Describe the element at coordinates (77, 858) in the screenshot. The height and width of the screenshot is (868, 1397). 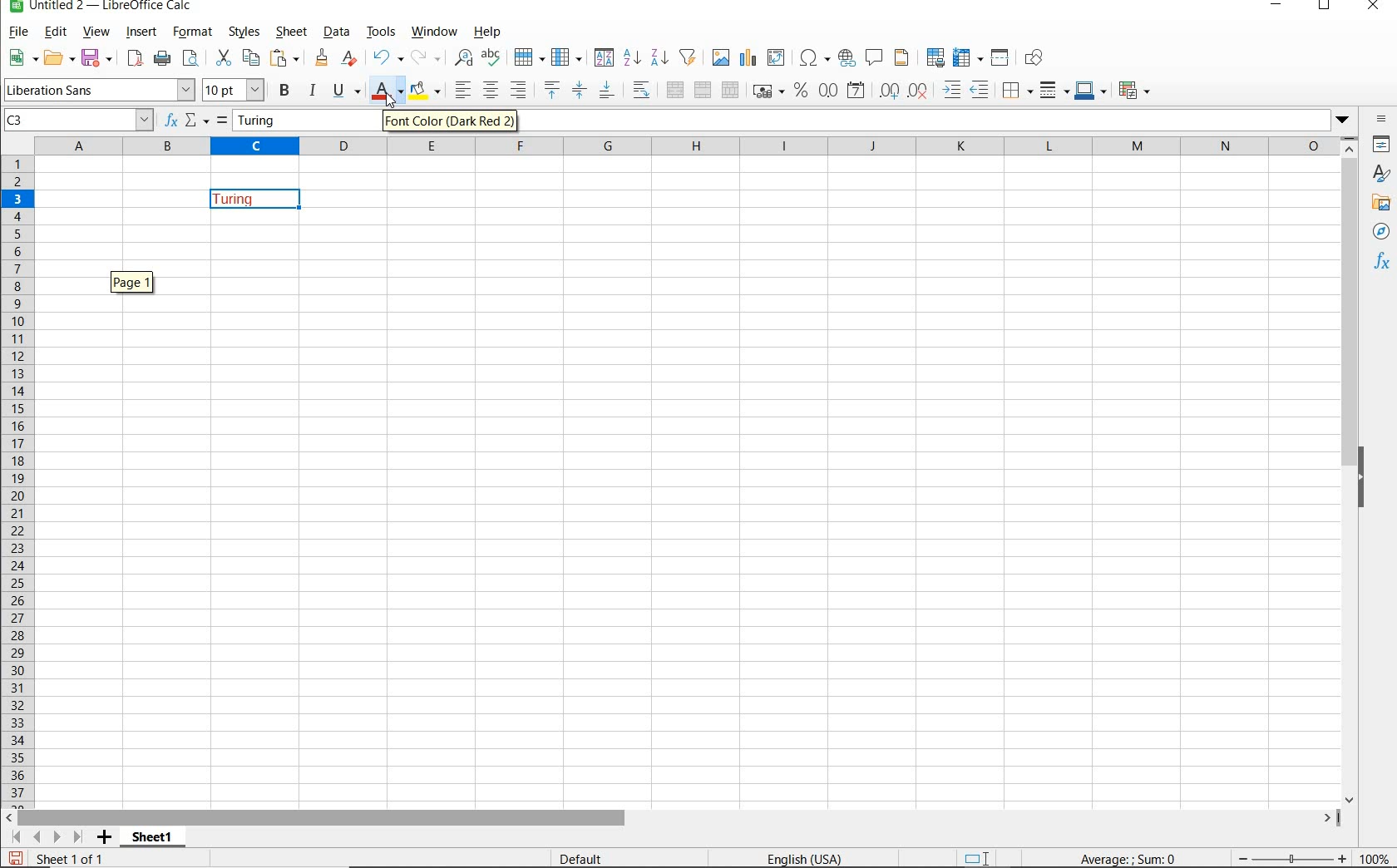
I see `Sheet 1 of 1` at that location.